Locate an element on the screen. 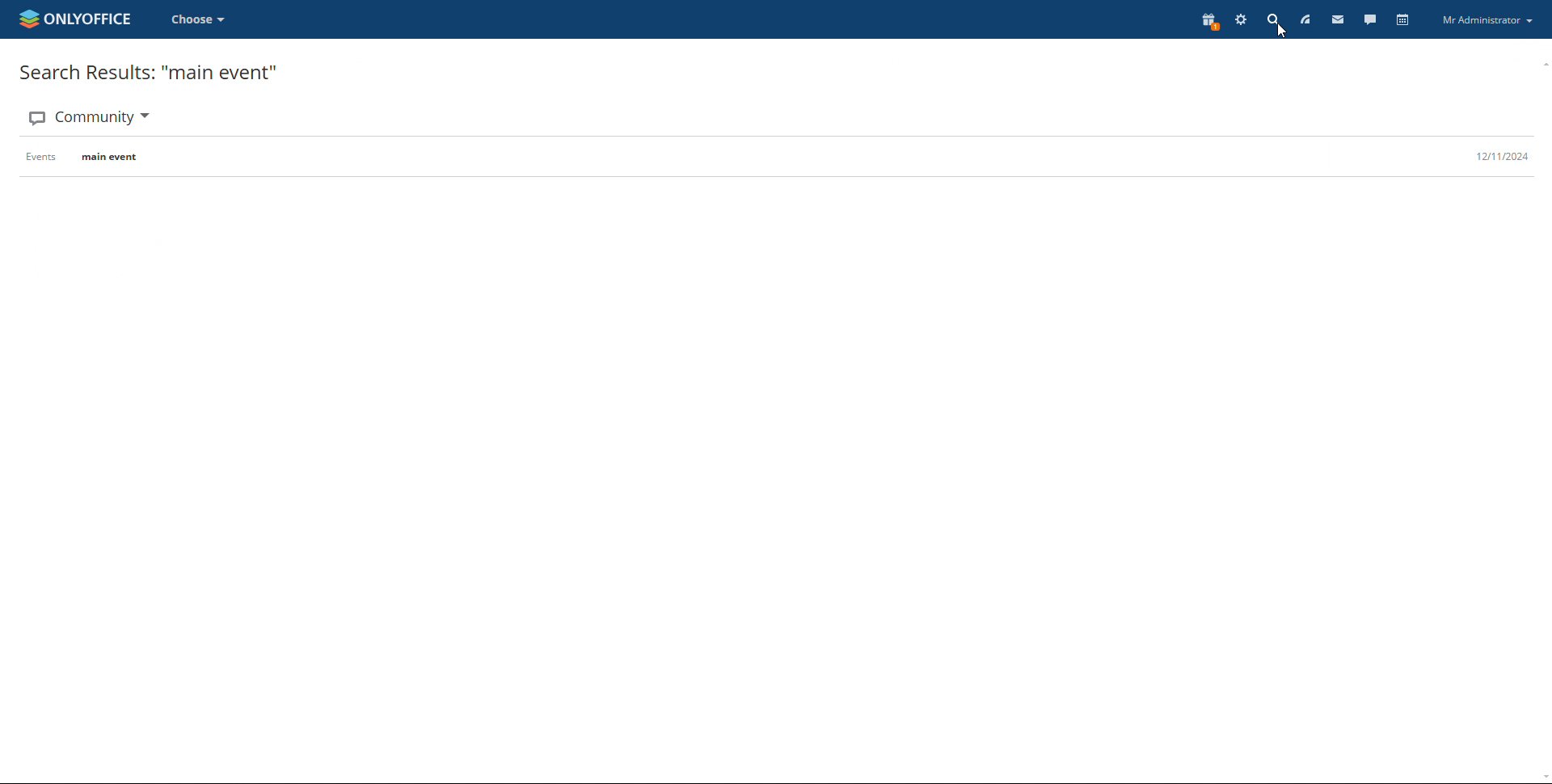  my administrator is located at coordinates (1486, 21).